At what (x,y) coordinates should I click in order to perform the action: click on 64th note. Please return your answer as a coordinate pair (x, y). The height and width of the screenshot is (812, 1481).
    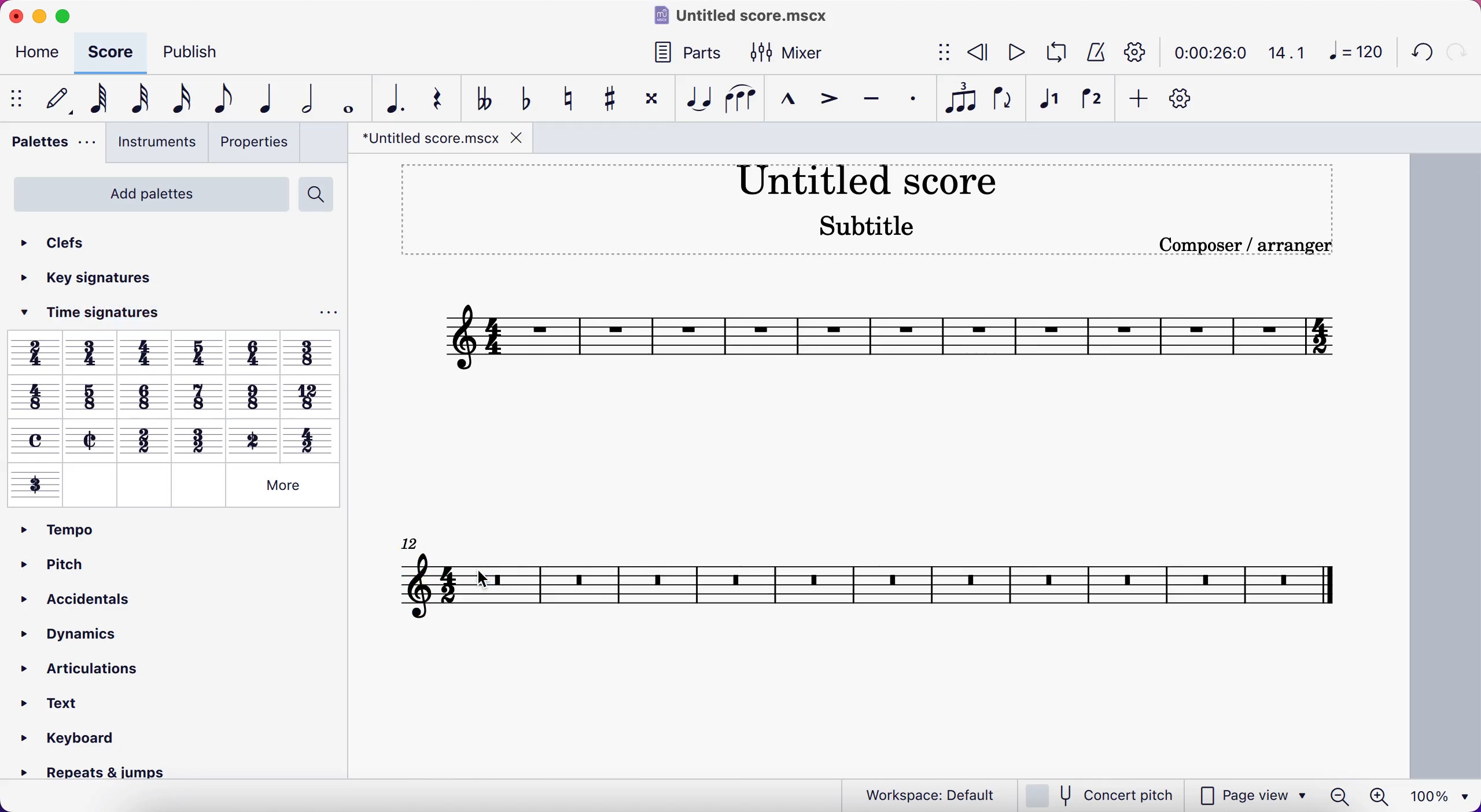
    Looking at the image, I should click on (96, 100).